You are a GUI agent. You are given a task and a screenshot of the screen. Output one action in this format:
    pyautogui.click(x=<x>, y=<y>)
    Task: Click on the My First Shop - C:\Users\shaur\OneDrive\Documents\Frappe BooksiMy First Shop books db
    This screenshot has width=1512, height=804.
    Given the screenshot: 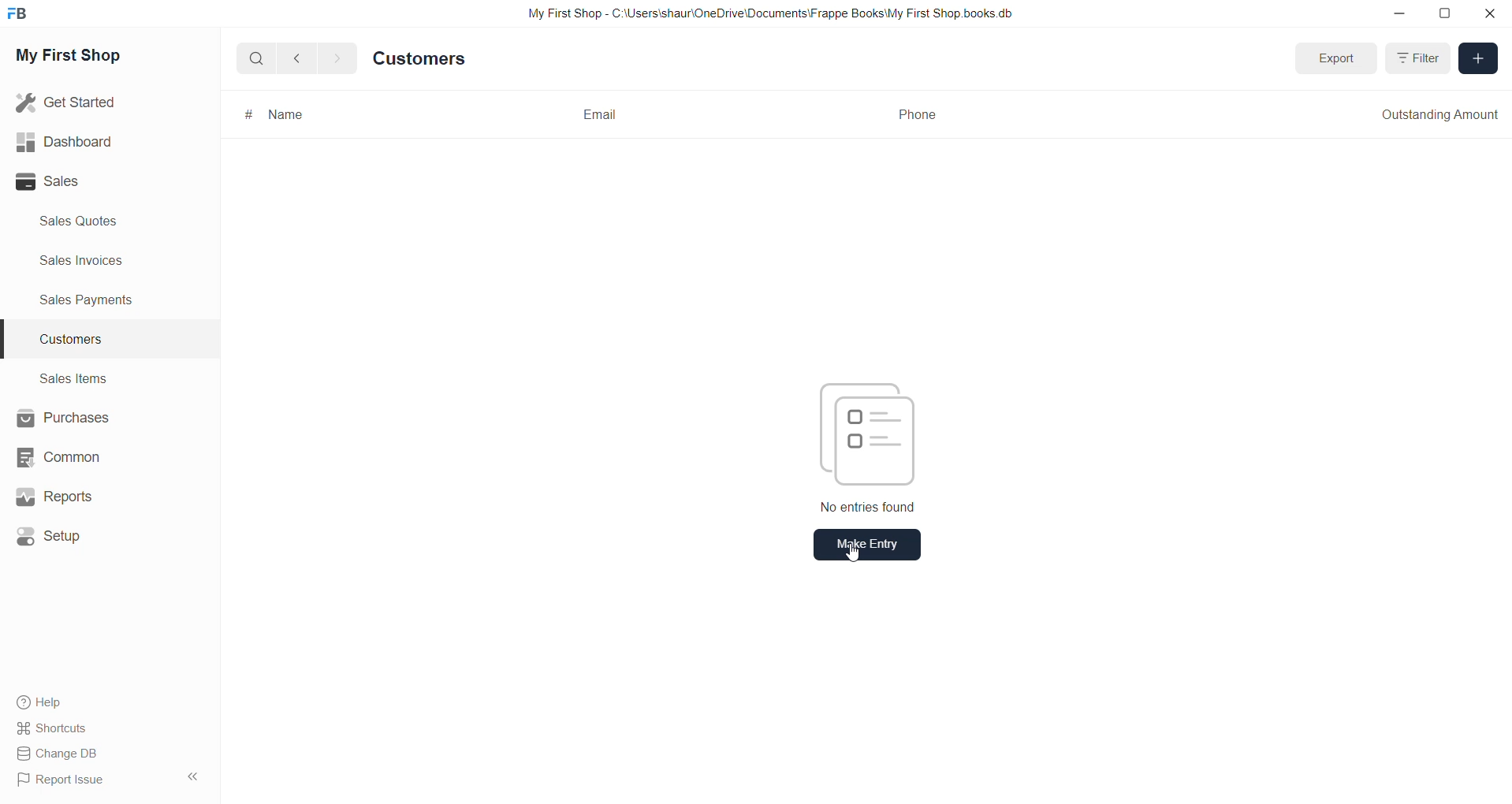 What is the action you would take?
    pyautogui.click(x=763, y=13)
    